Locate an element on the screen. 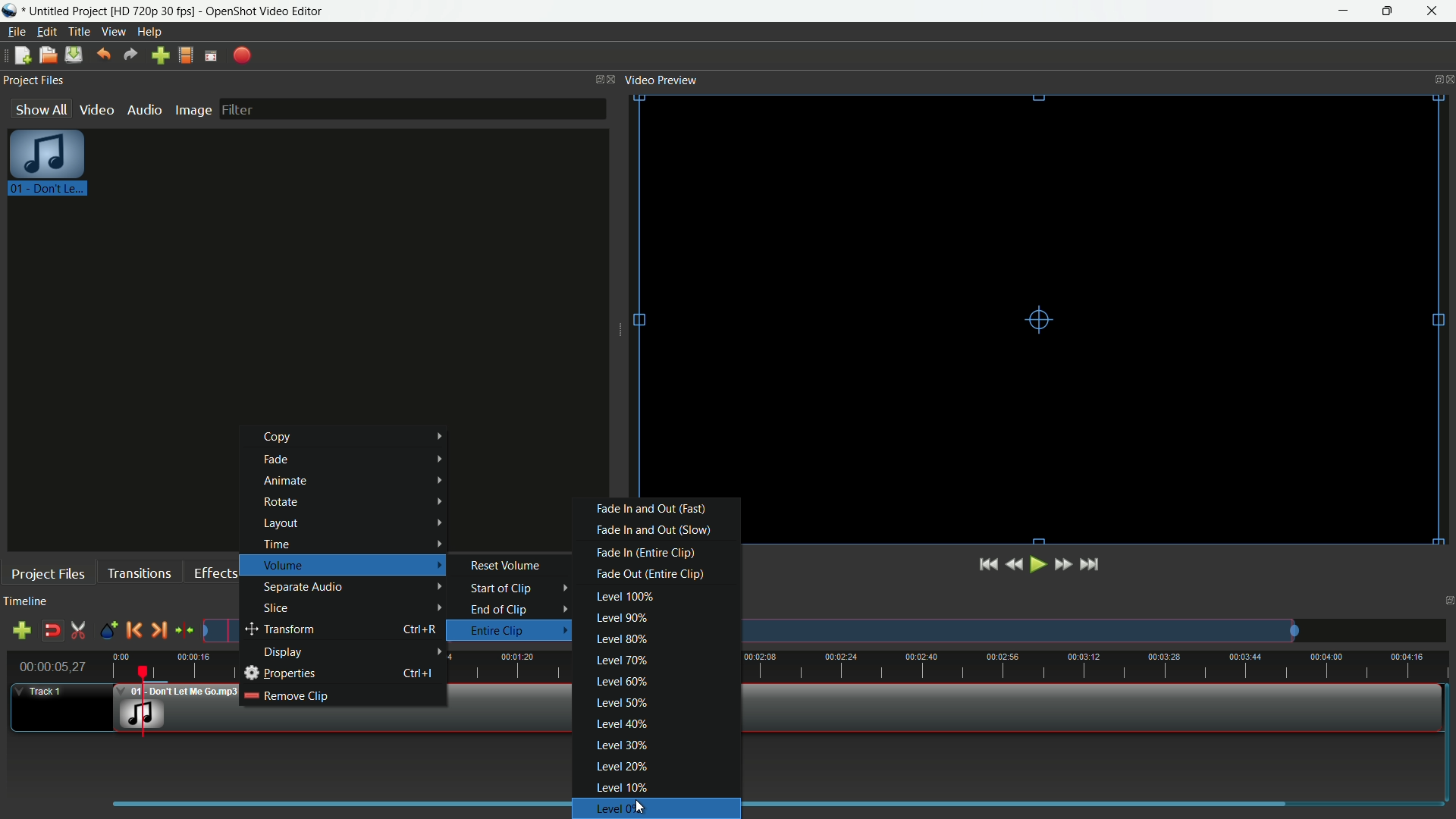  project files is located at coordinates (47, 573).